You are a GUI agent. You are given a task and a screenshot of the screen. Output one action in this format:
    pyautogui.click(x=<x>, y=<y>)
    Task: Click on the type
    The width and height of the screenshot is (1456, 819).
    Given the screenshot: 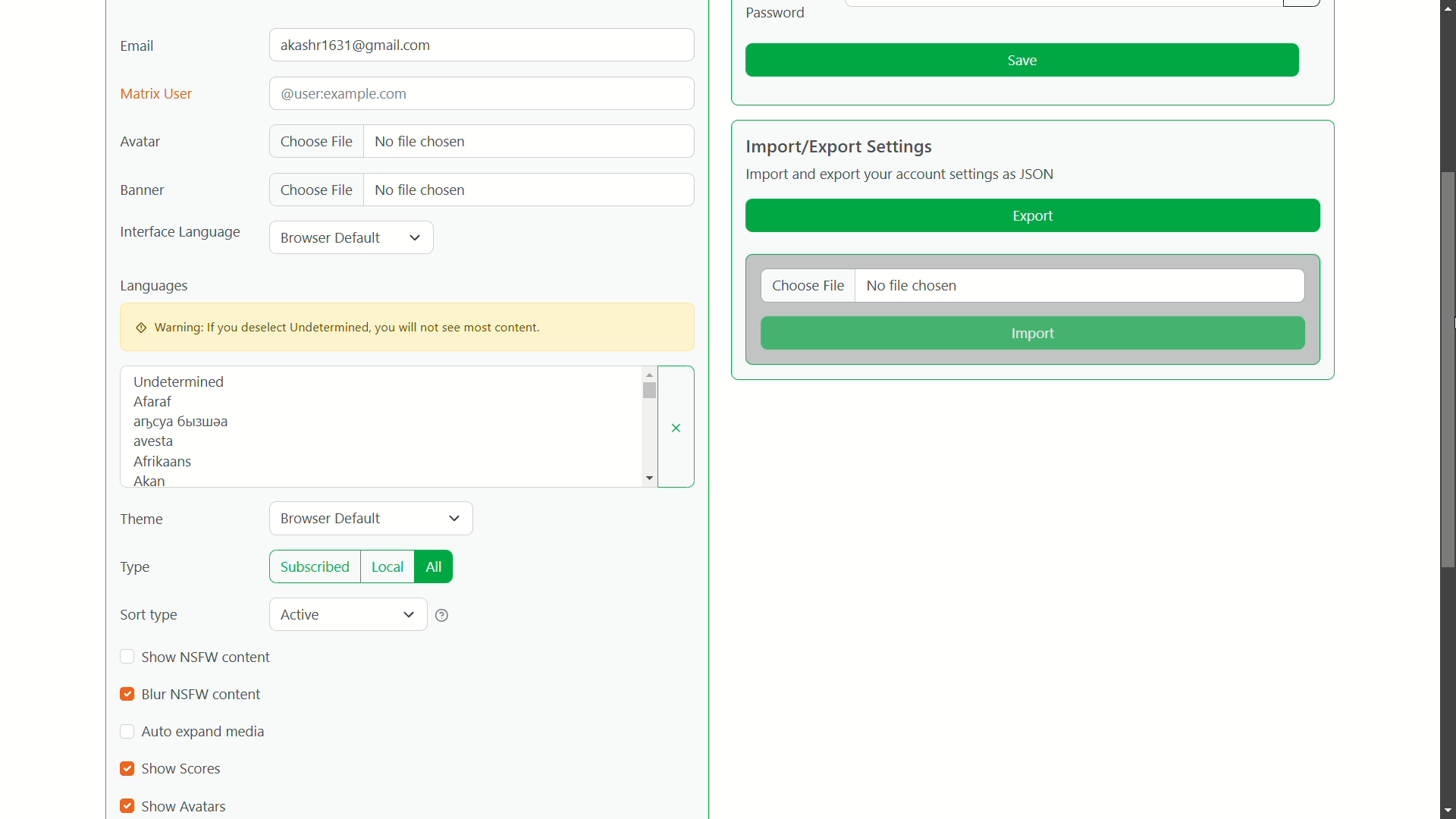 What is the action you would take?
    pyautogui.click(x=136, y=569)
    